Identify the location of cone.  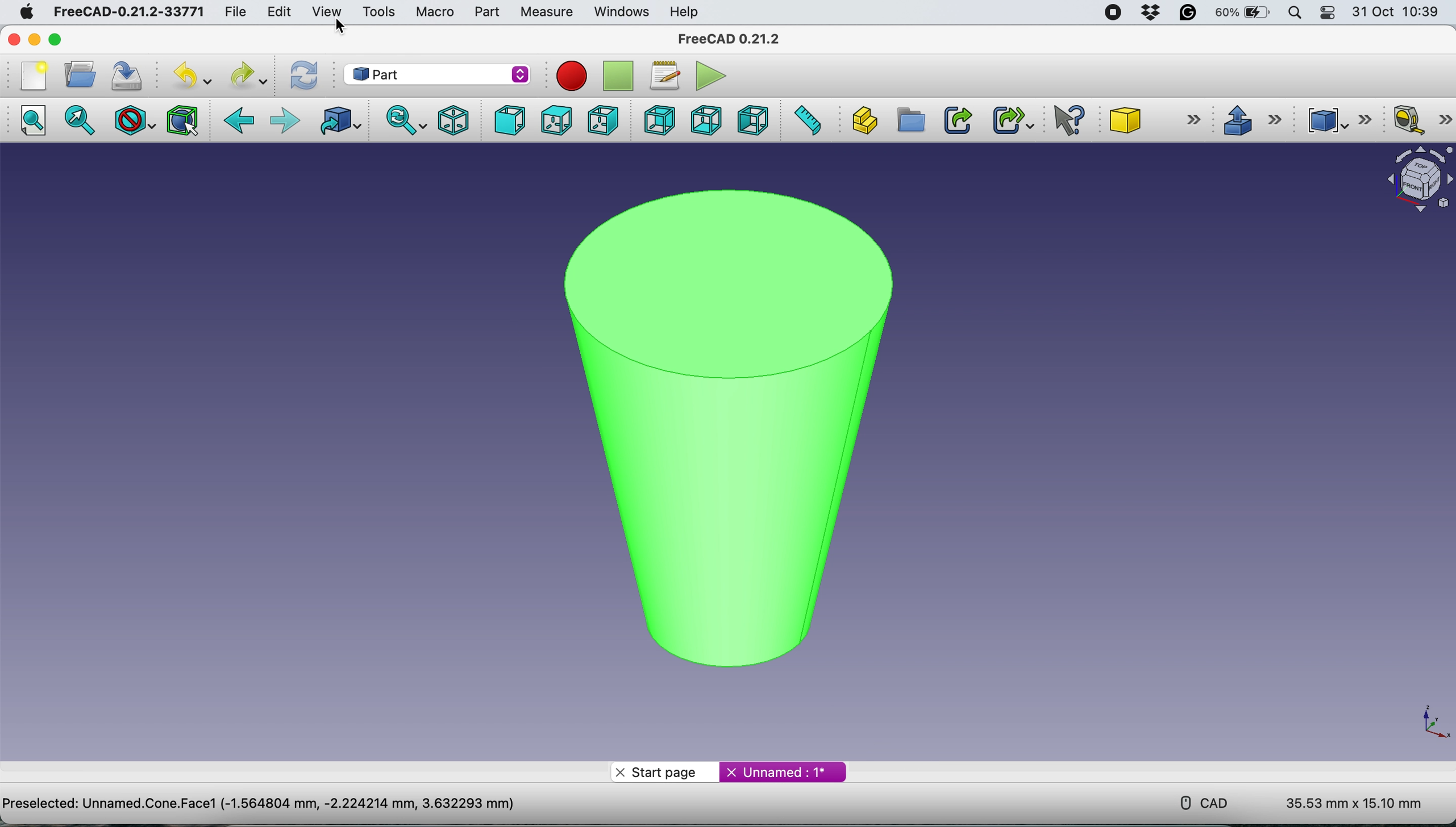
(720, 420).